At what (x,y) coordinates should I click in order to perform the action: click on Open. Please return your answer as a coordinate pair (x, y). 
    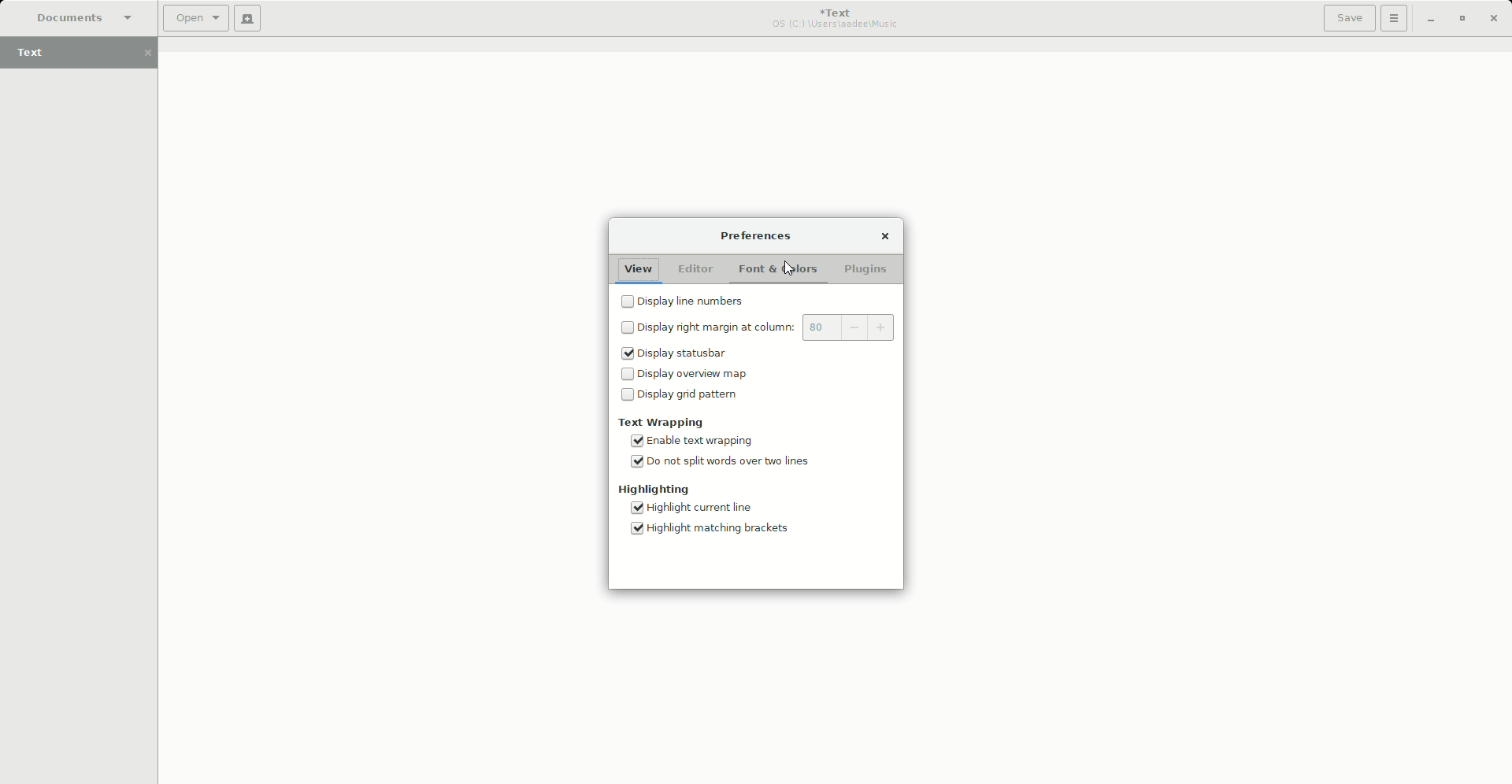
    Looking at the image, I should click on (196, 19).